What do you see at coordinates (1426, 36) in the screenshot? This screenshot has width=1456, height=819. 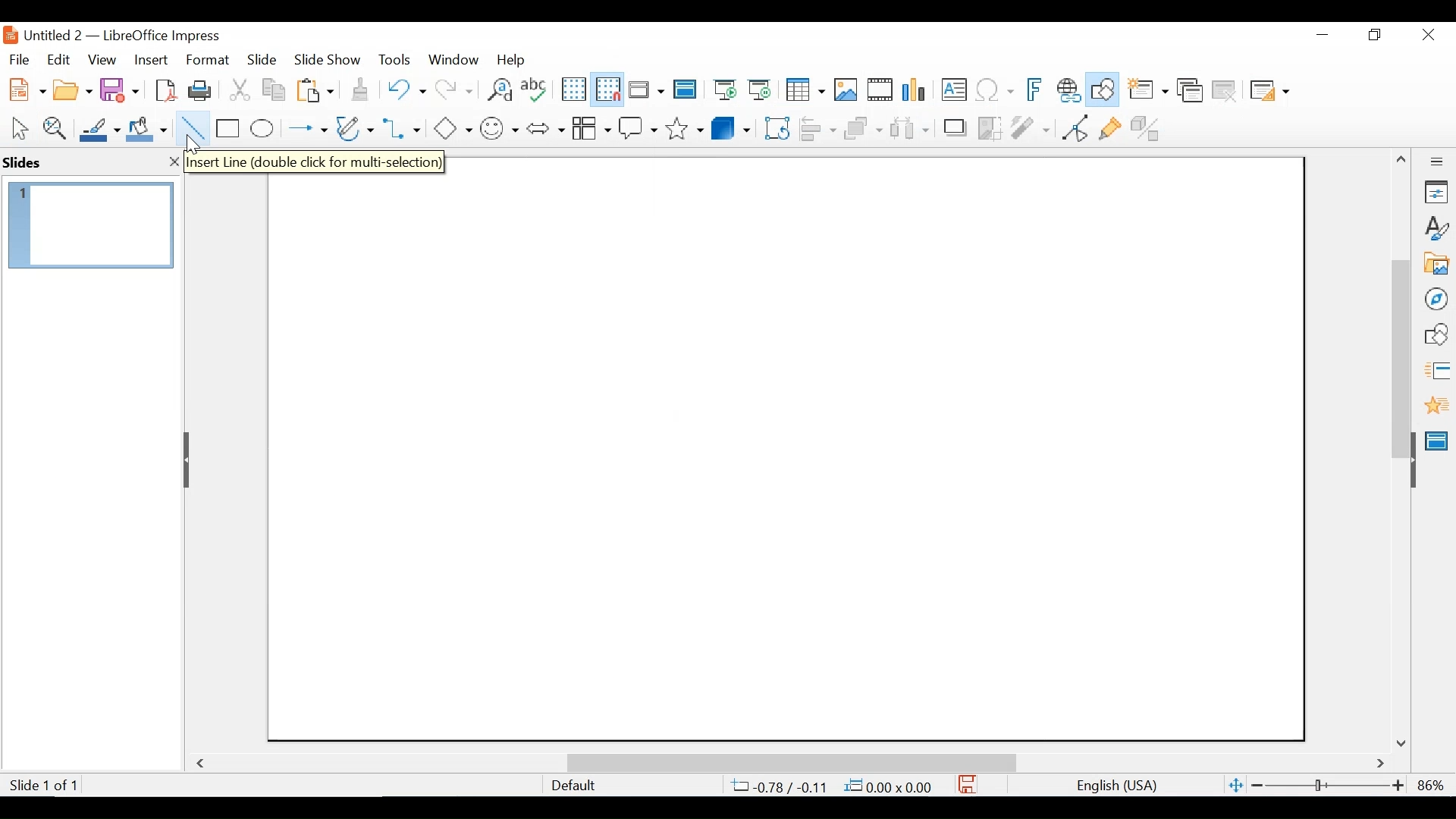 I see `Close` at bounding box center [1426, 36].